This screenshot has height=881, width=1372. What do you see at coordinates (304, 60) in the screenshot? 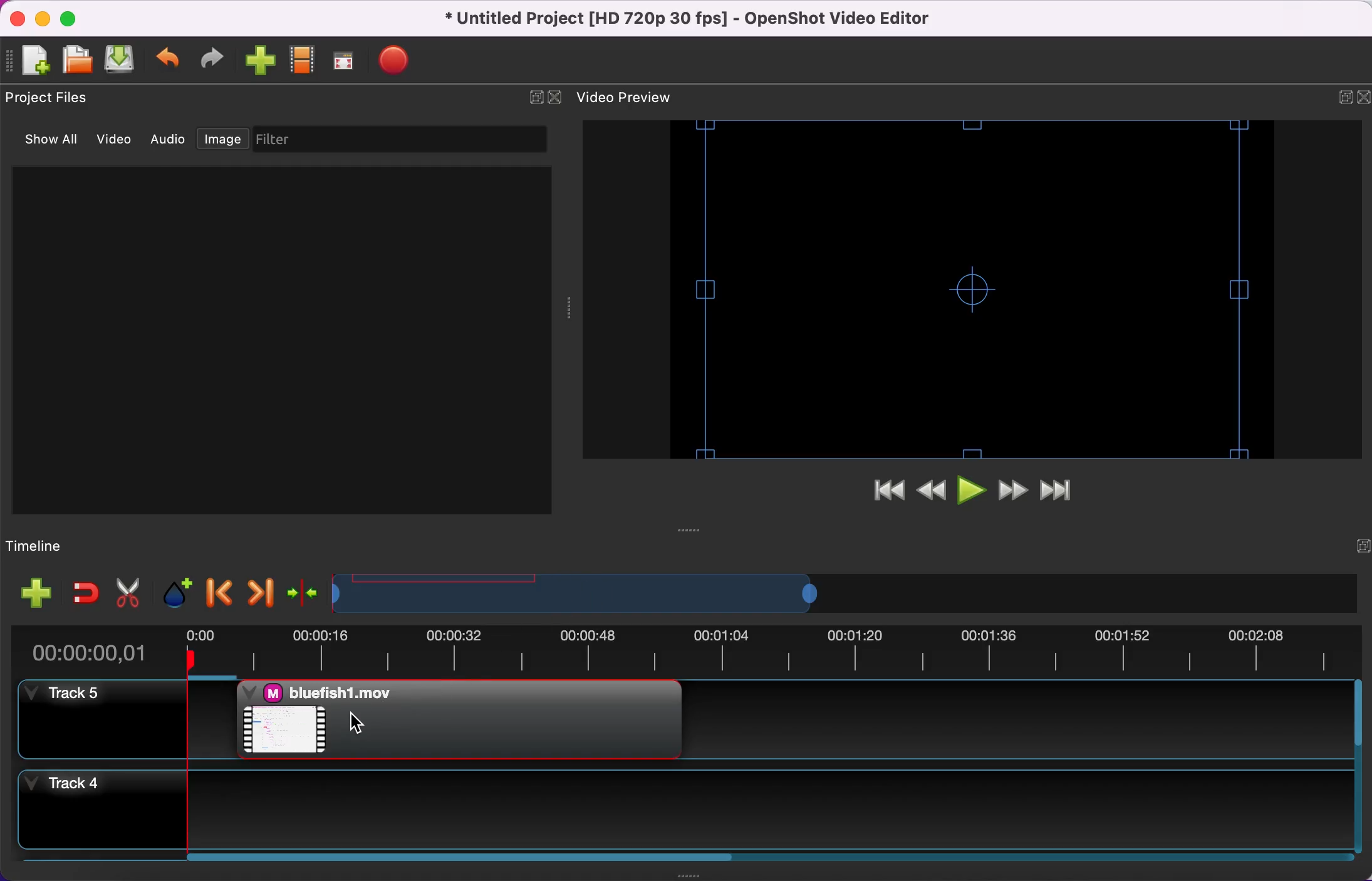
I see `choose profile` at bounding box center [304, 60].